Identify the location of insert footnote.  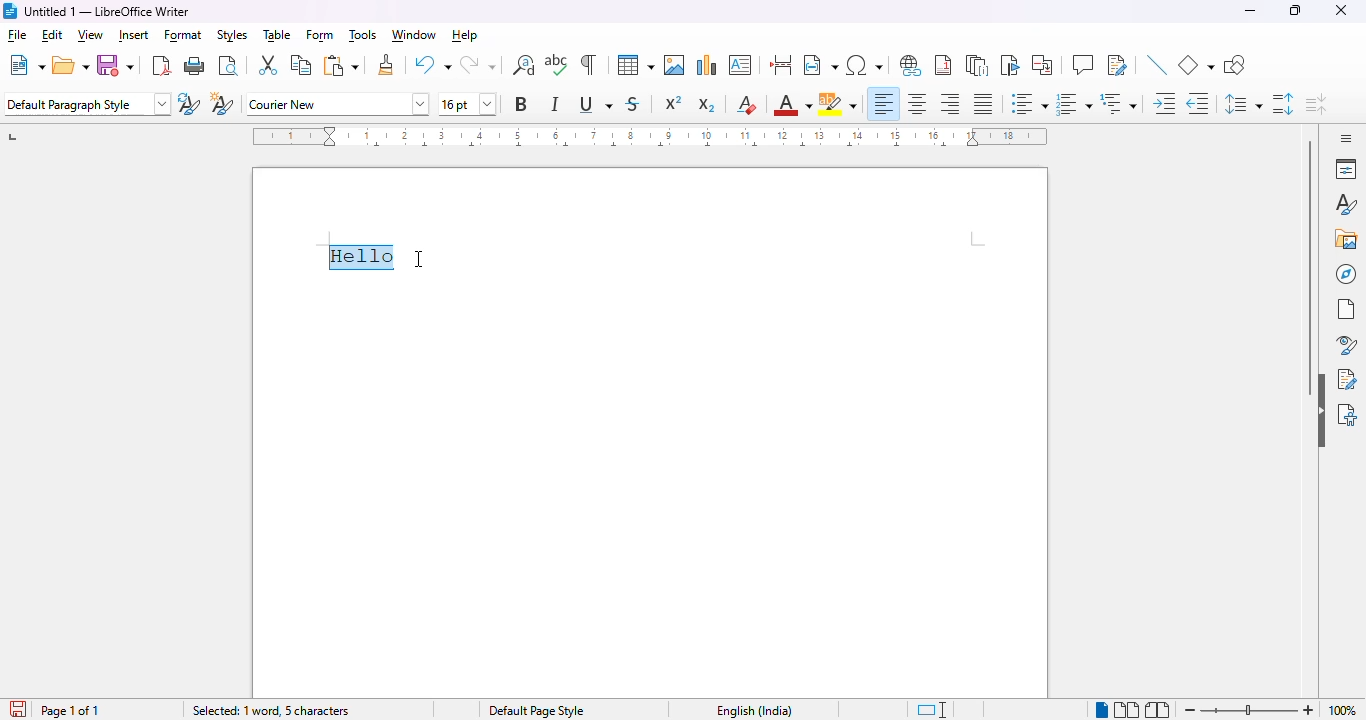
(943, 65).